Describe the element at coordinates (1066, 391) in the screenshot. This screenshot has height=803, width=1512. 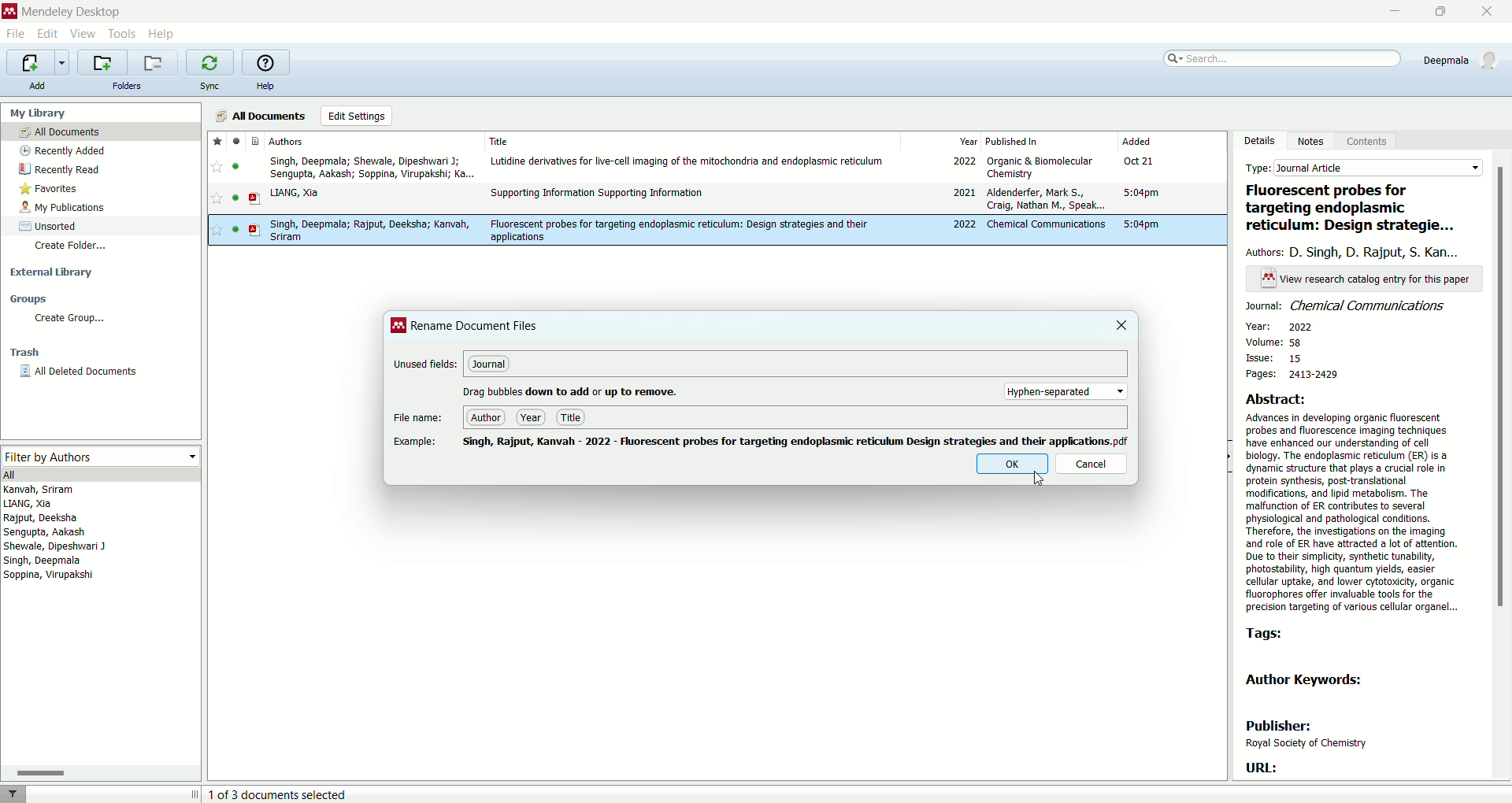
I see `hyphen-separated` at that location.